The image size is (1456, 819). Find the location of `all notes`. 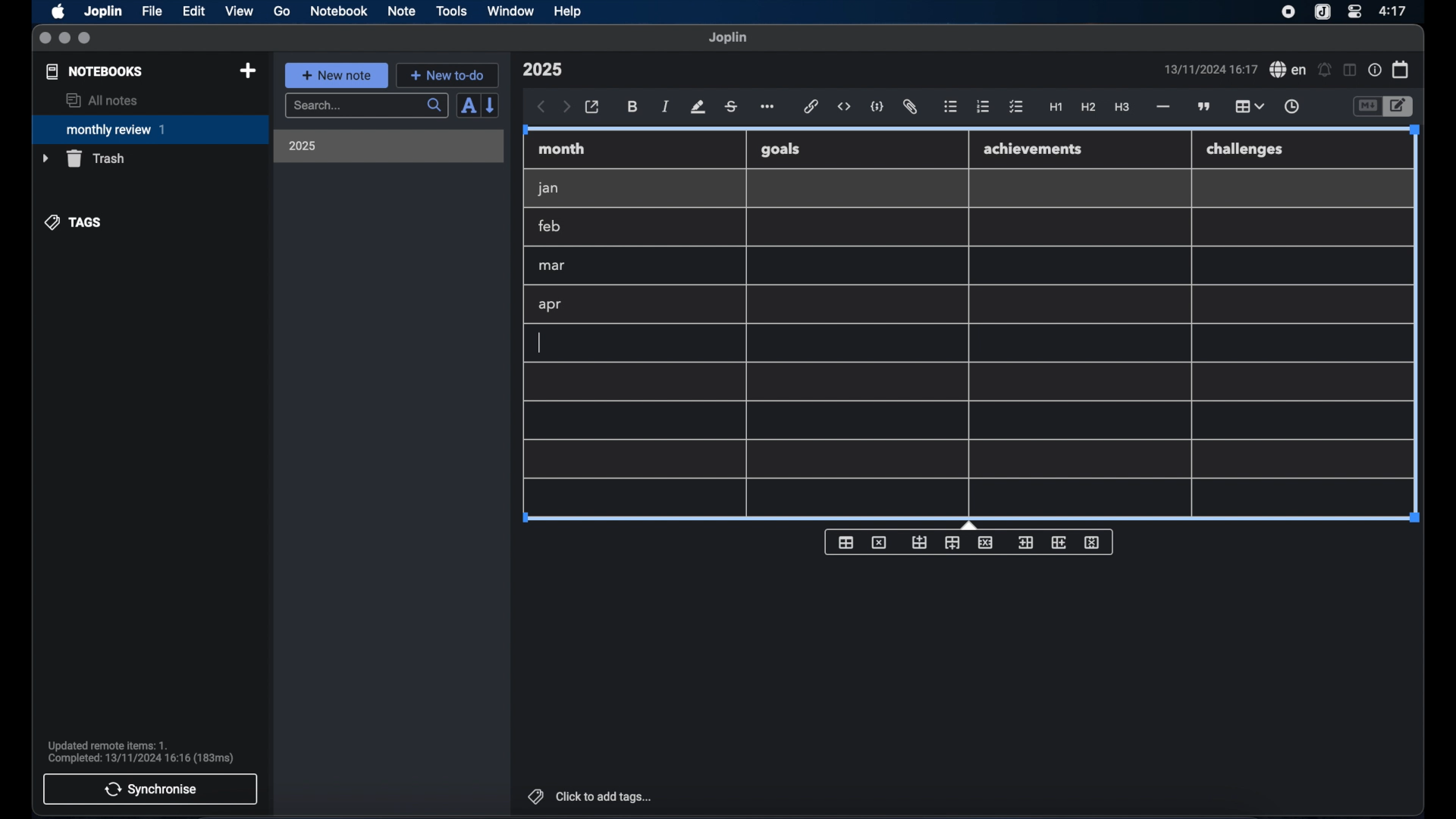

all notes is located at coordinates (102, 100).